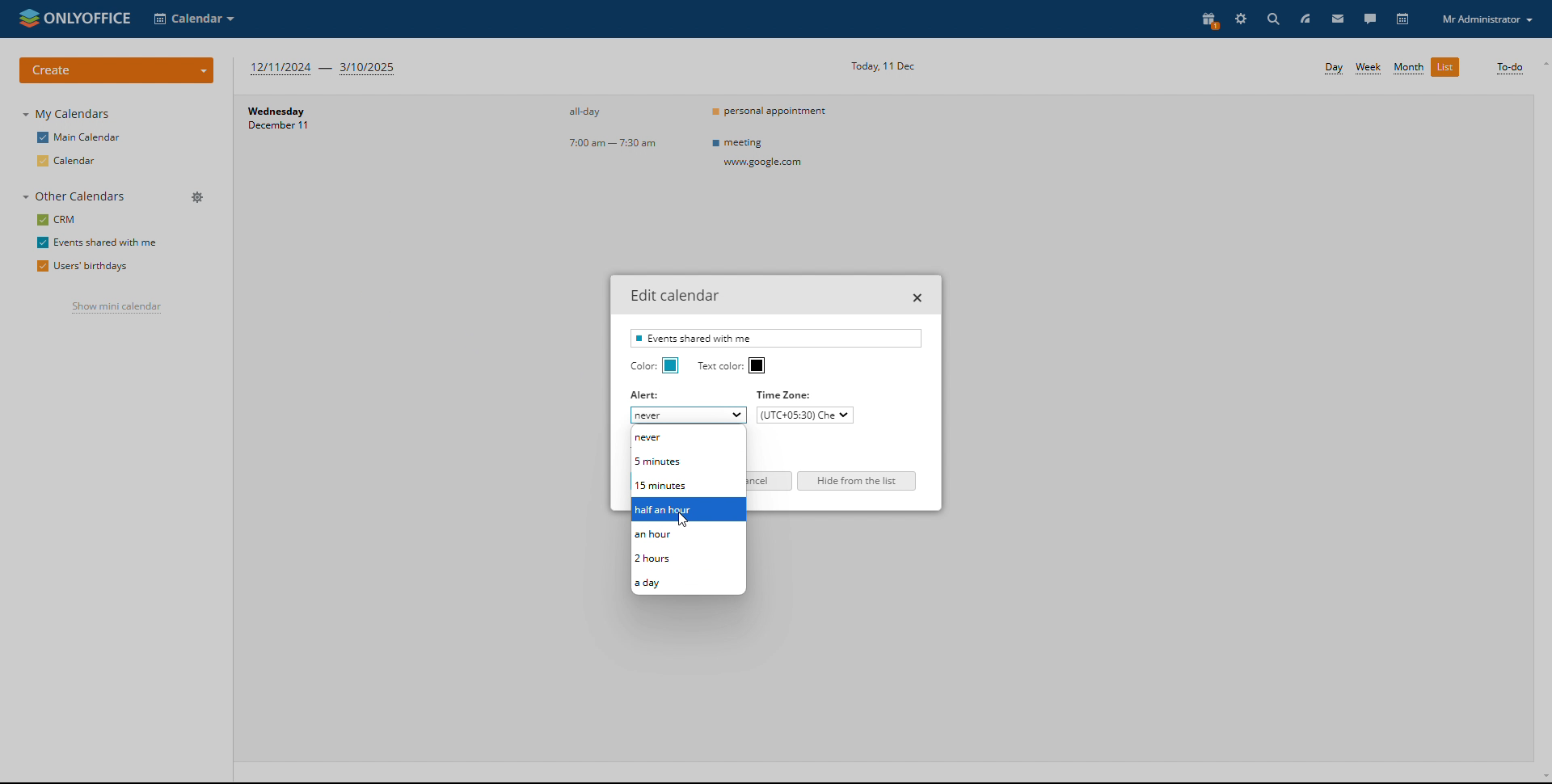 The image size is (1552, 784). I want to click on select application, so click(194, 18).